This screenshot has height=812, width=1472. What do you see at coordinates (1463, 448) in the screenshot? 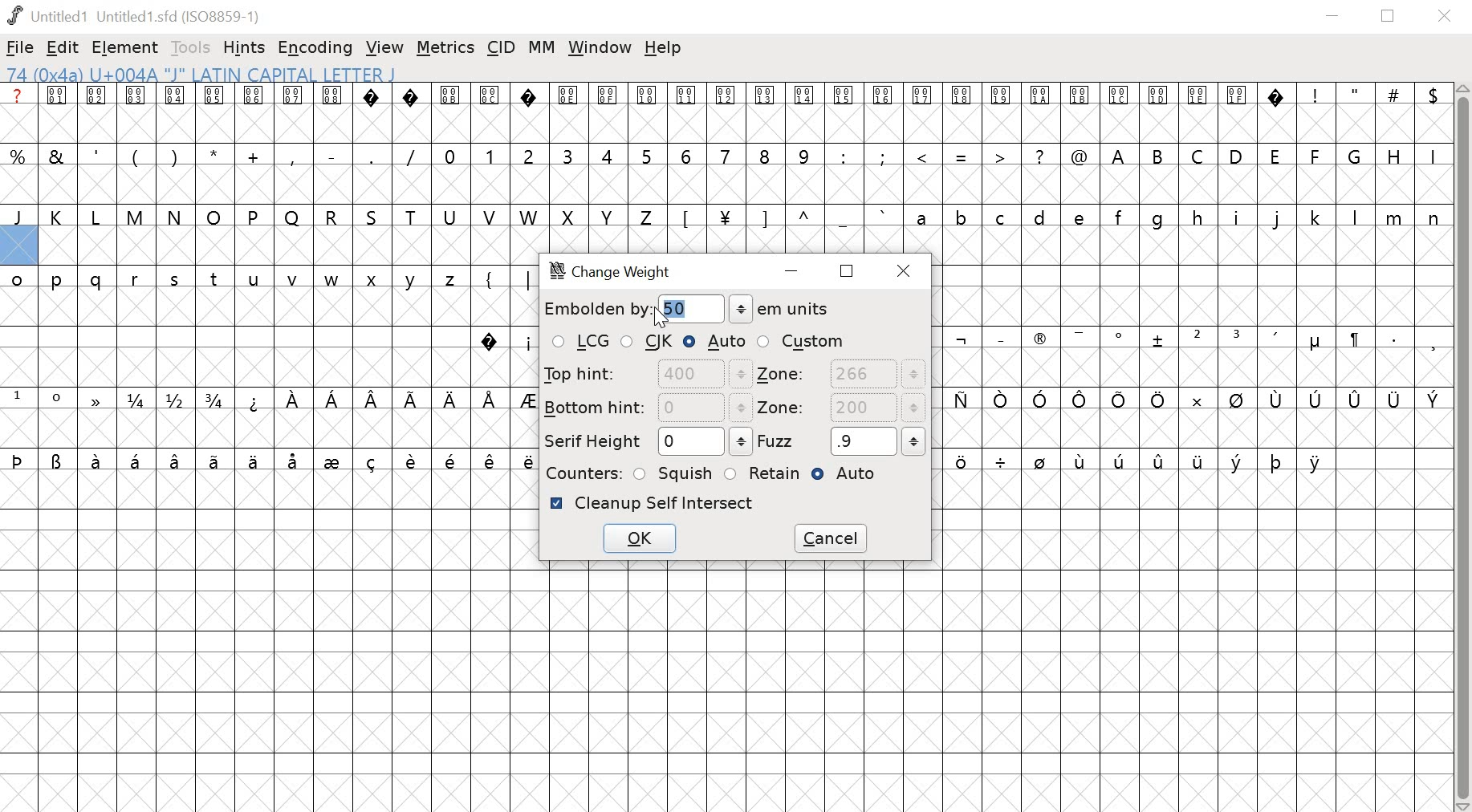
I see `scrollbar` at bounding box center [1463, 448].